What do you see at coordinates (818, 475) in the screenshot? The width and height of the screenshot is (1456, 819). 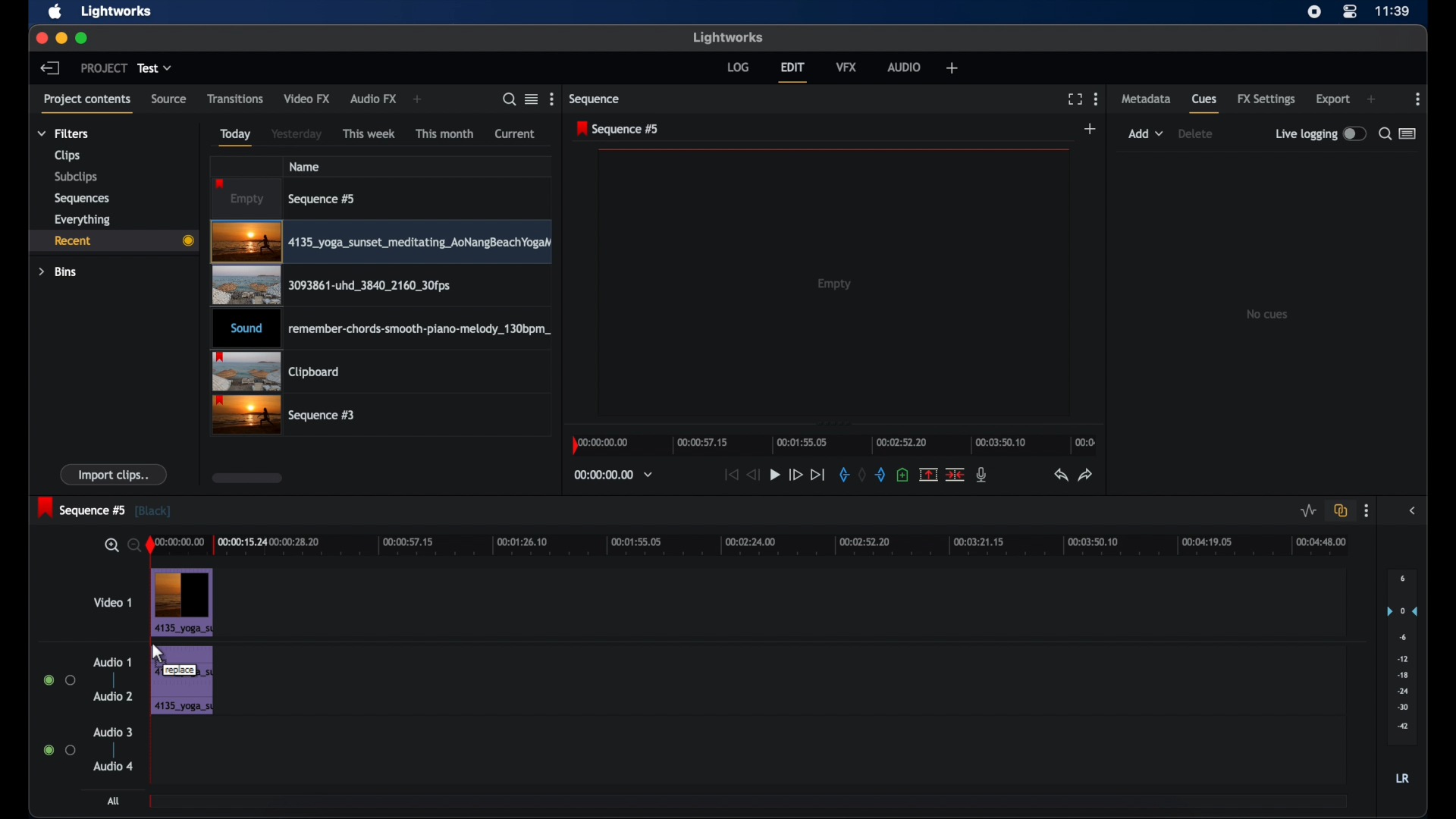 I see `jump to end` at bounding box center [818, 475].